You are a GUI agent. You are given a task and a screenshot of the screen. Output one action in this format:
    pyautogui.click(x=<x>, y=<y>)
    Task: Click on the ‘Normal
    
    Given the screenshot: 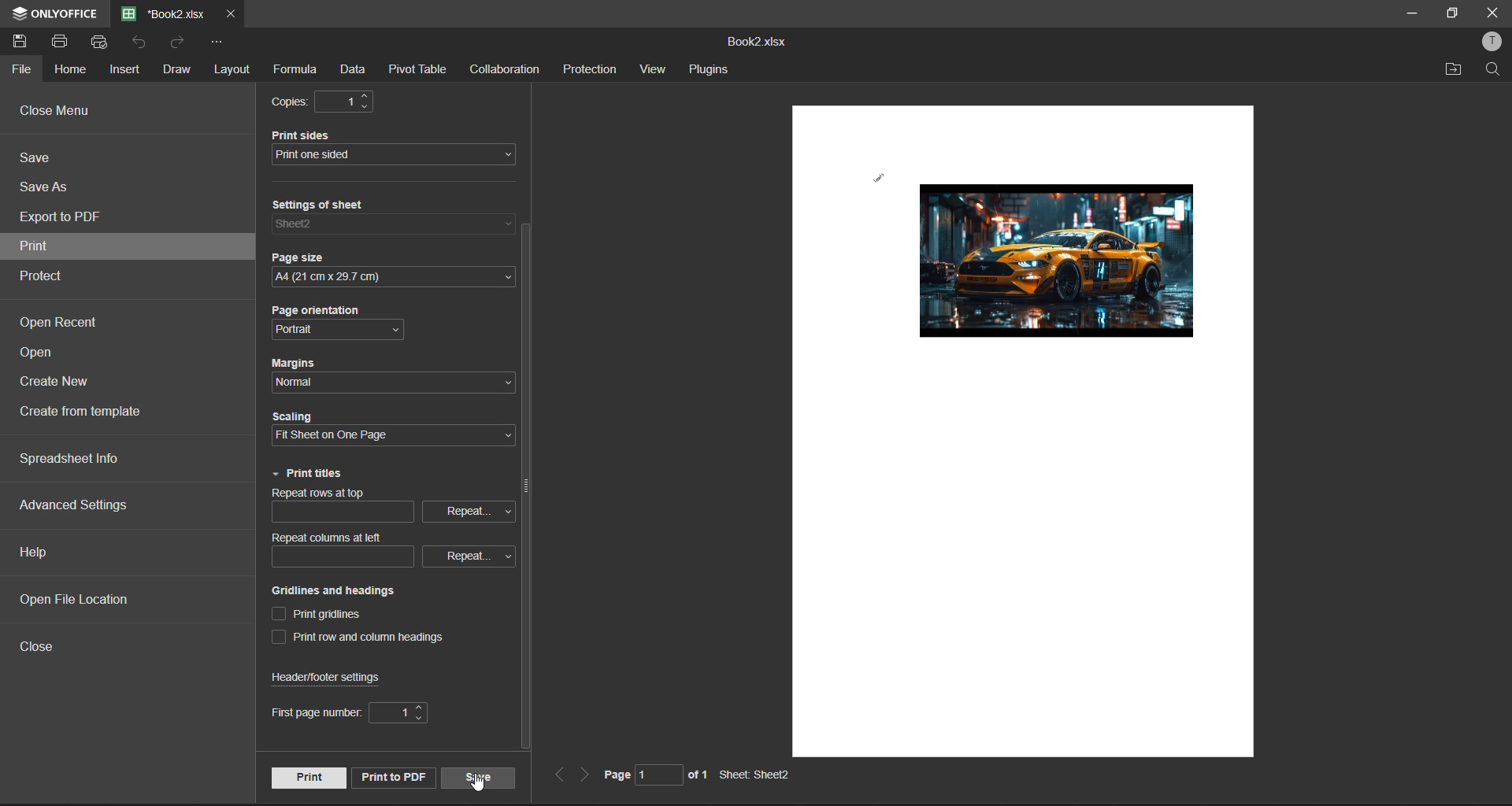 What is the action you would take?
    pyautogui.click(x=300, y=383)
    